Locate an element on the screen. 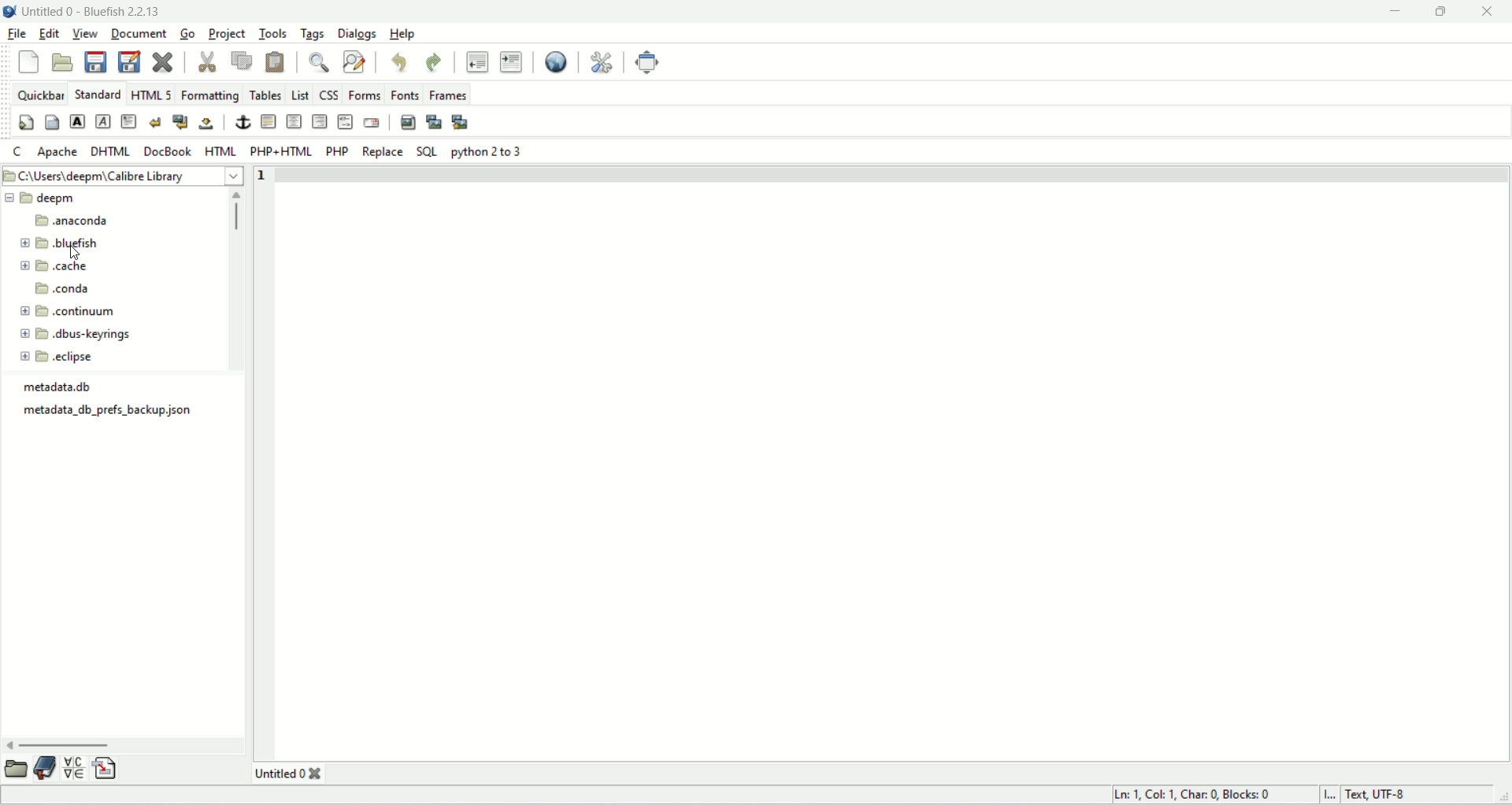 Image resolution: width=1512 pixels, height=805 pixels. strong is located at coordinates (78, 121).